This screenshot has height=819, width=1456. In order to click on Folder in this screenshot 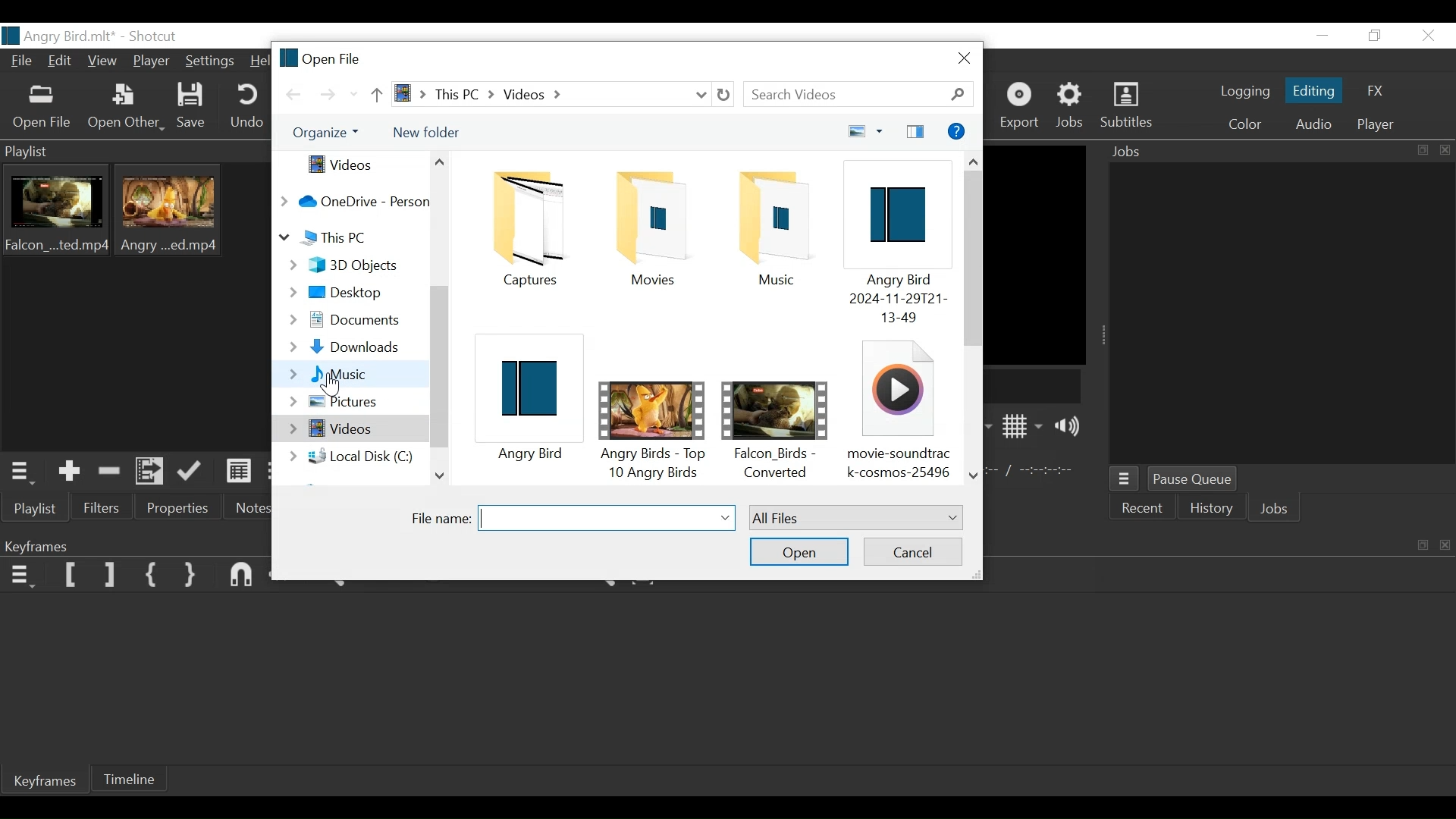, I will do `click(532, 224)`.